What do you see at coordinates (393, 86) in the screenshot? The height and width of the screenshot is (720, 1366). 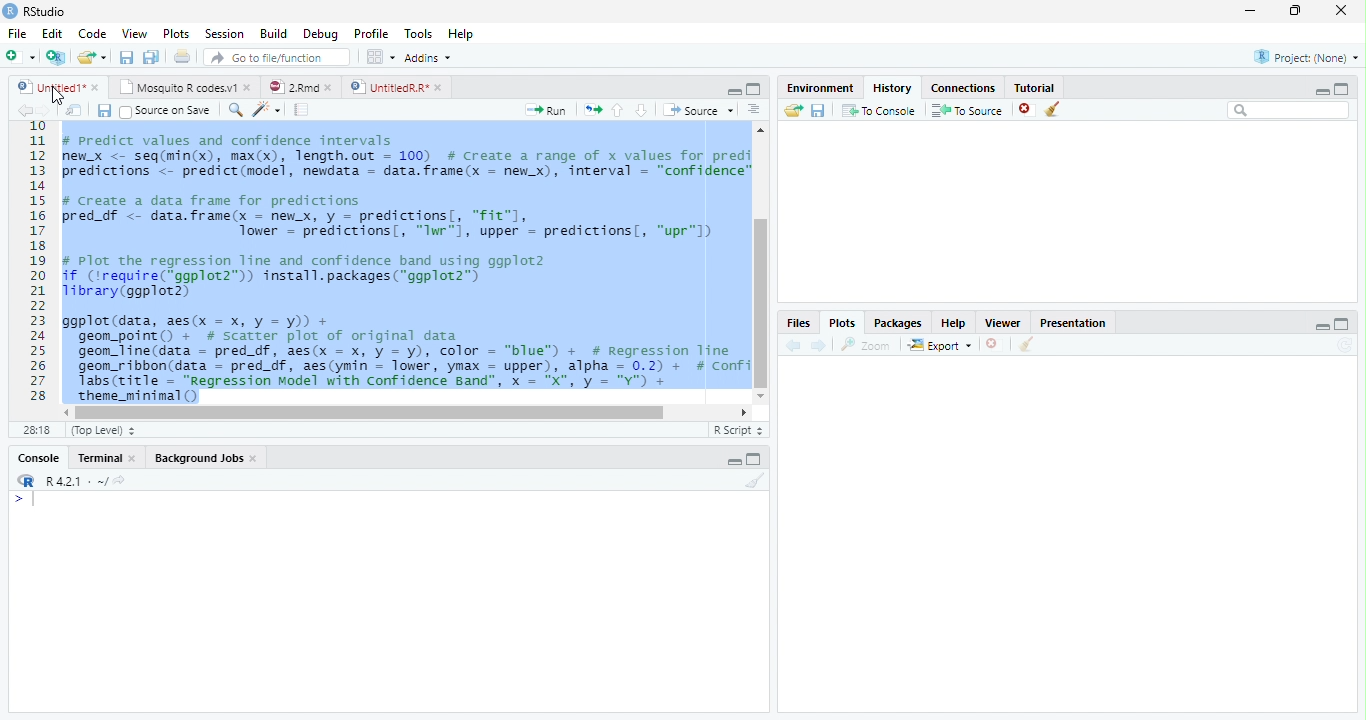 I see `Untitled R` at bounding box center [393, 86].